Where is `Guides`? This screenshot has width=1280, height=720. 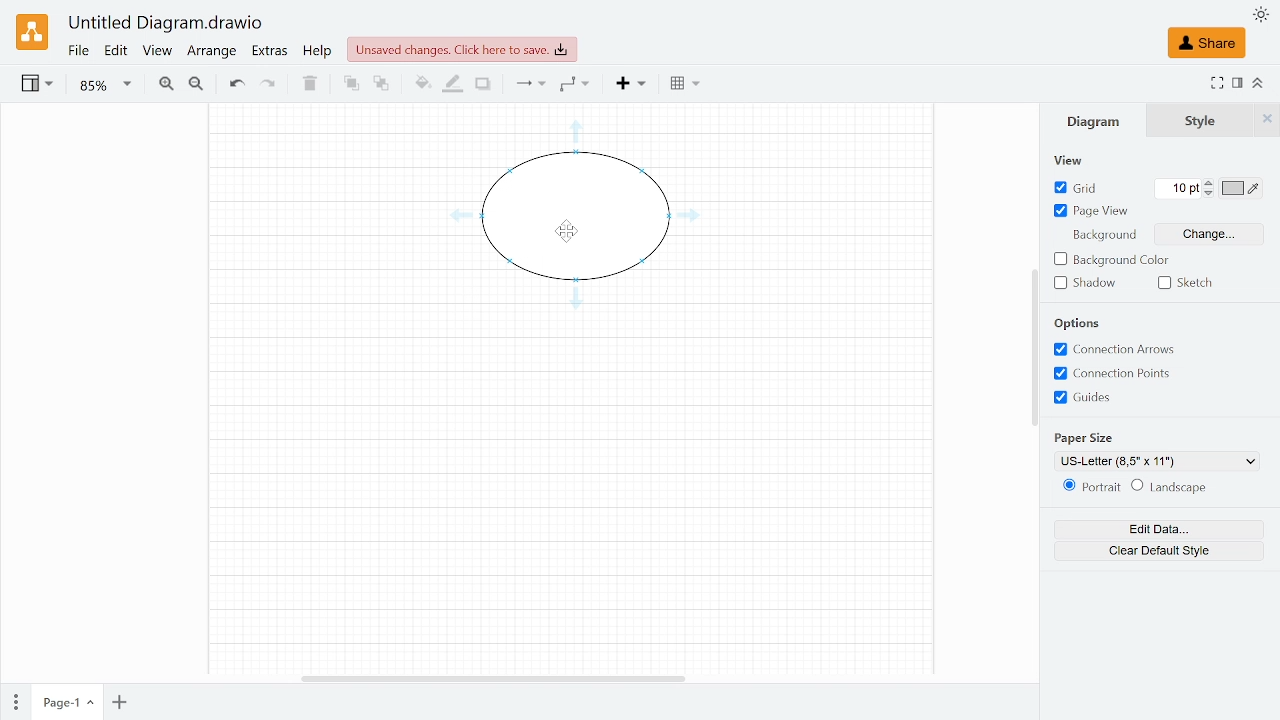 Guides is located at coordinates (1109, 399).